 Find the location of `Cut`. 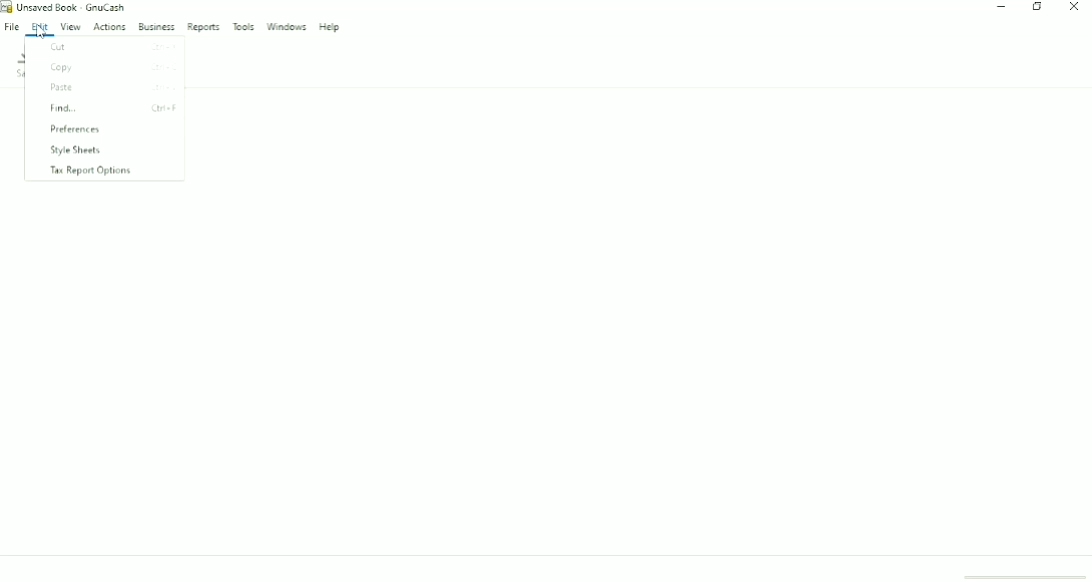

Cut is located at coordinates (113, 48).